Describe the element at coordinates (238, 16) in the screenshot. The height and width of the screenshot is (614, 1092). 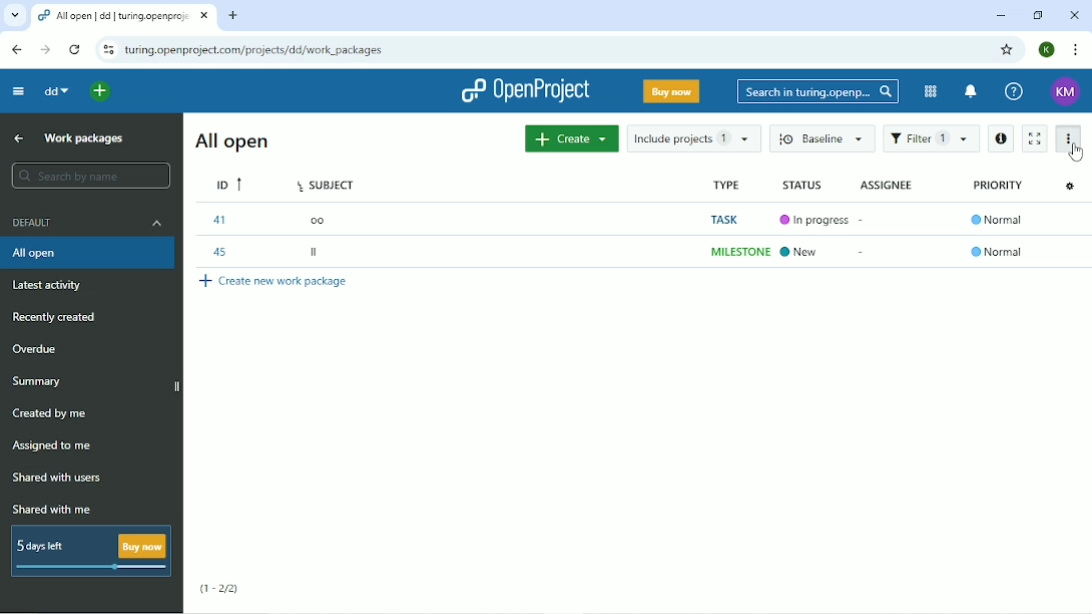
I see `new tabs` at that location.